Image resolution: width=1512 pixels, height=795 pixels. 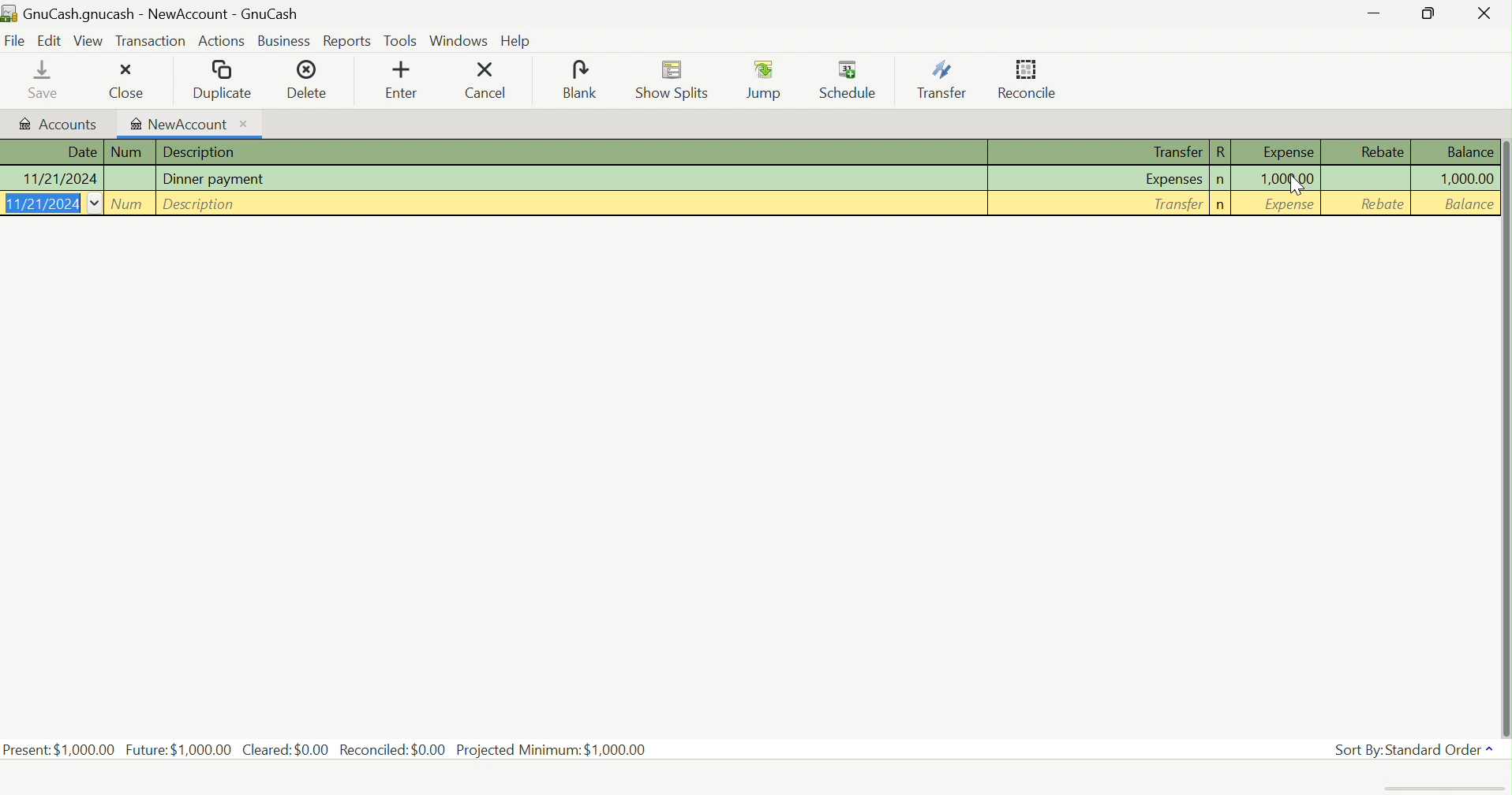 What do you see at coordinates (1383, 151) in the screenshot?
I see `Rebate` at bounding box center [1383, 151].